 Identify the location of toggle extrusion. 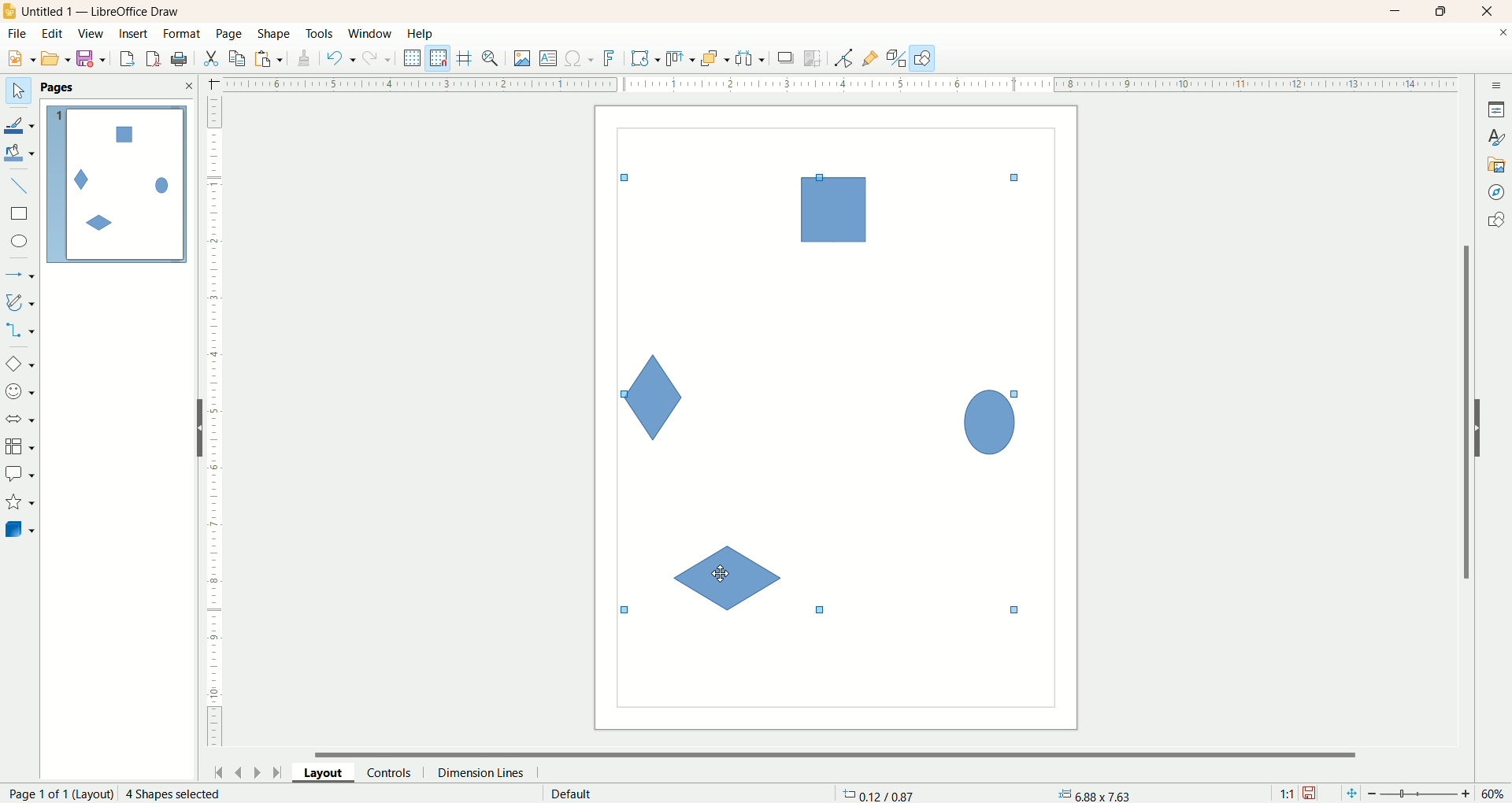
(896, 58).